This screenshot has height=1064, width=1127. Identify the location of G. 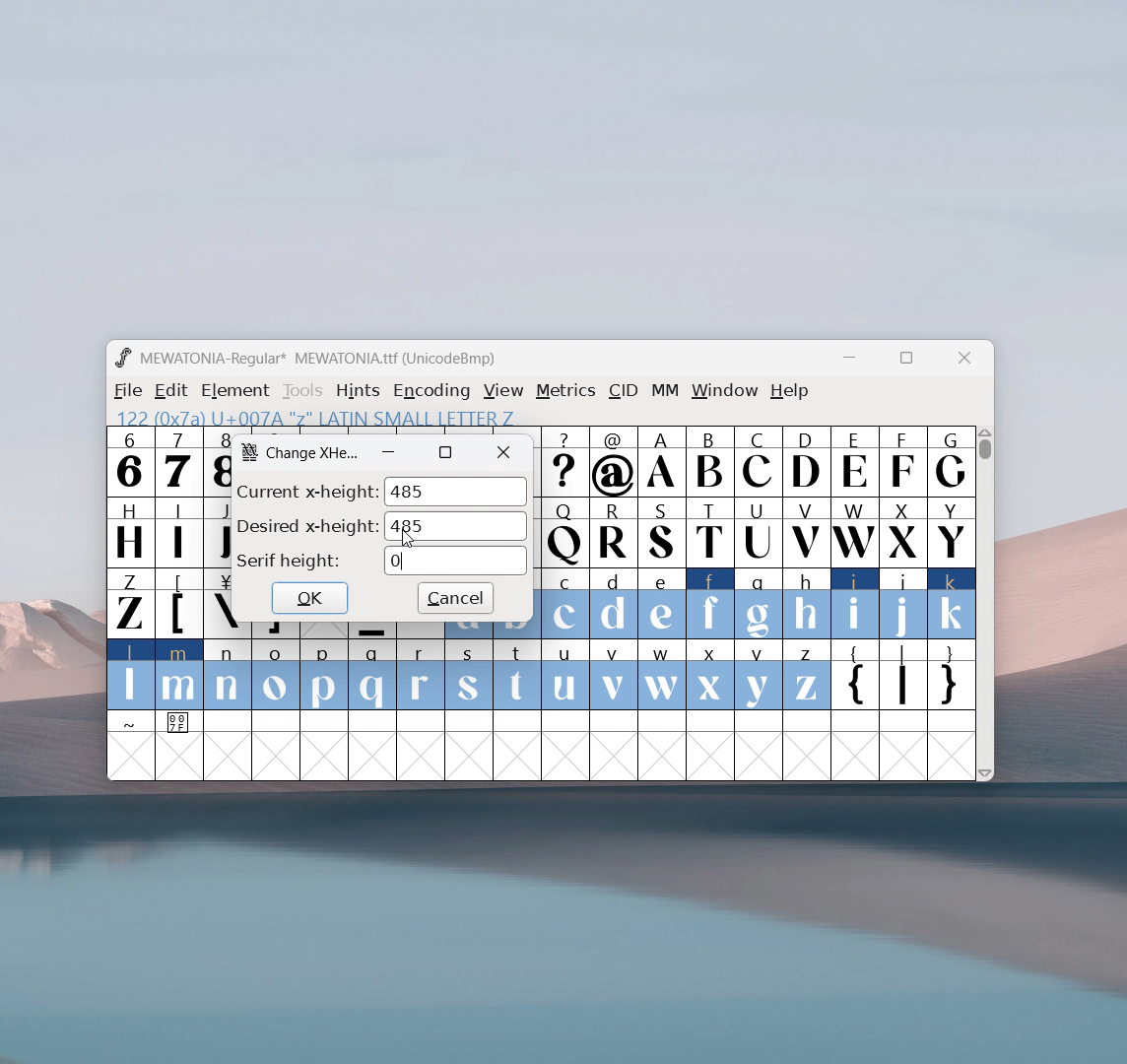
(951, 461).